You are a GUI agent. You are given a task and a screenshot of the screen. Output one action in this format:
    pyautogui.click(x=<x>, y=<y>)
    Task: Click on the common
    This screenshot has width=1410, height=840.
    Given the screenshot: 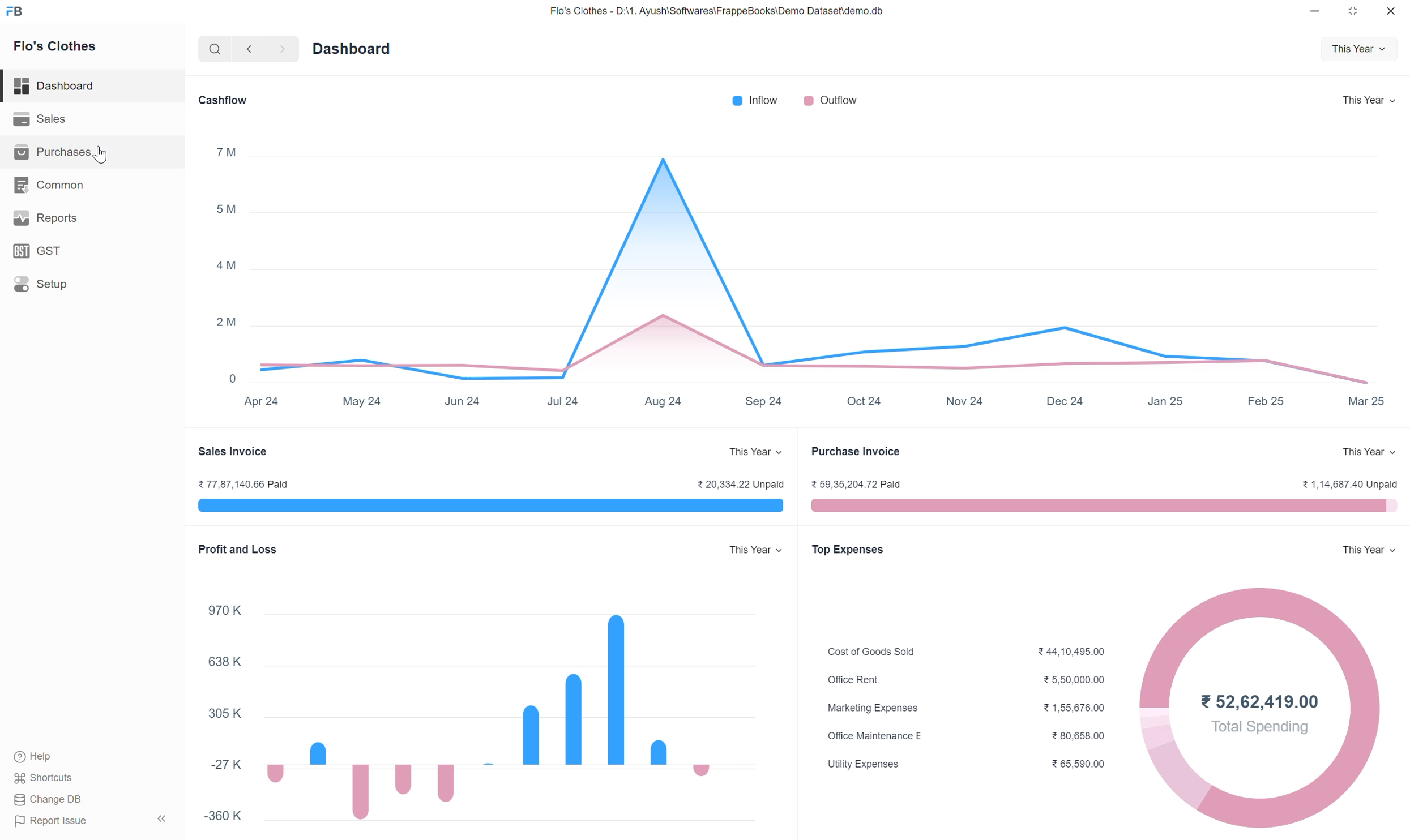 What is the action you would take?
    pyautogui.click(x=48, y=185)
    